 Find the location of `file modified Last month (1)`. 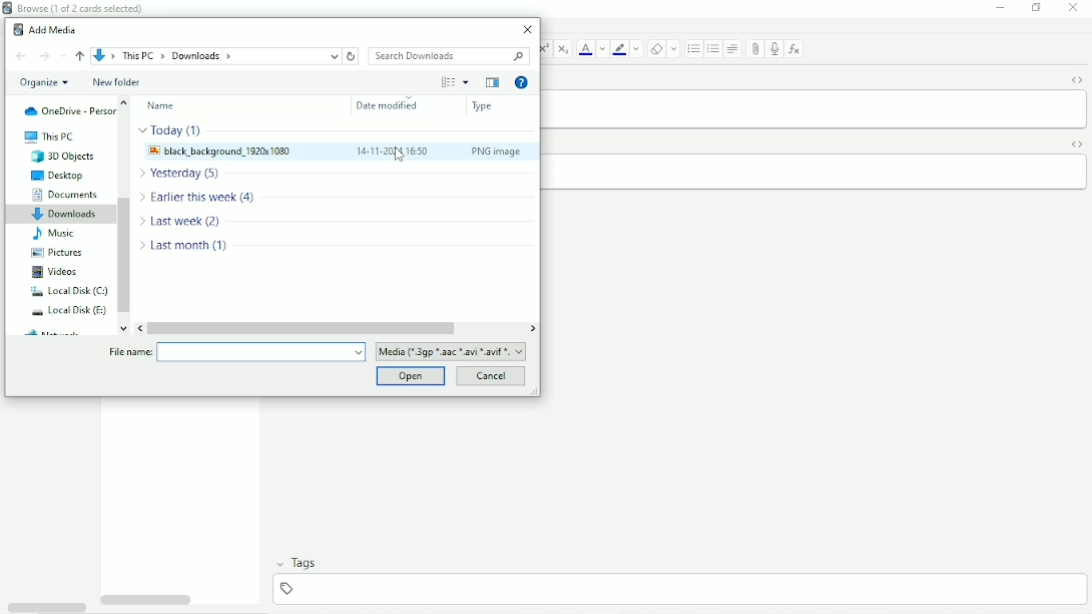

file modified Last month (1) is located at coordinates (184, 245).